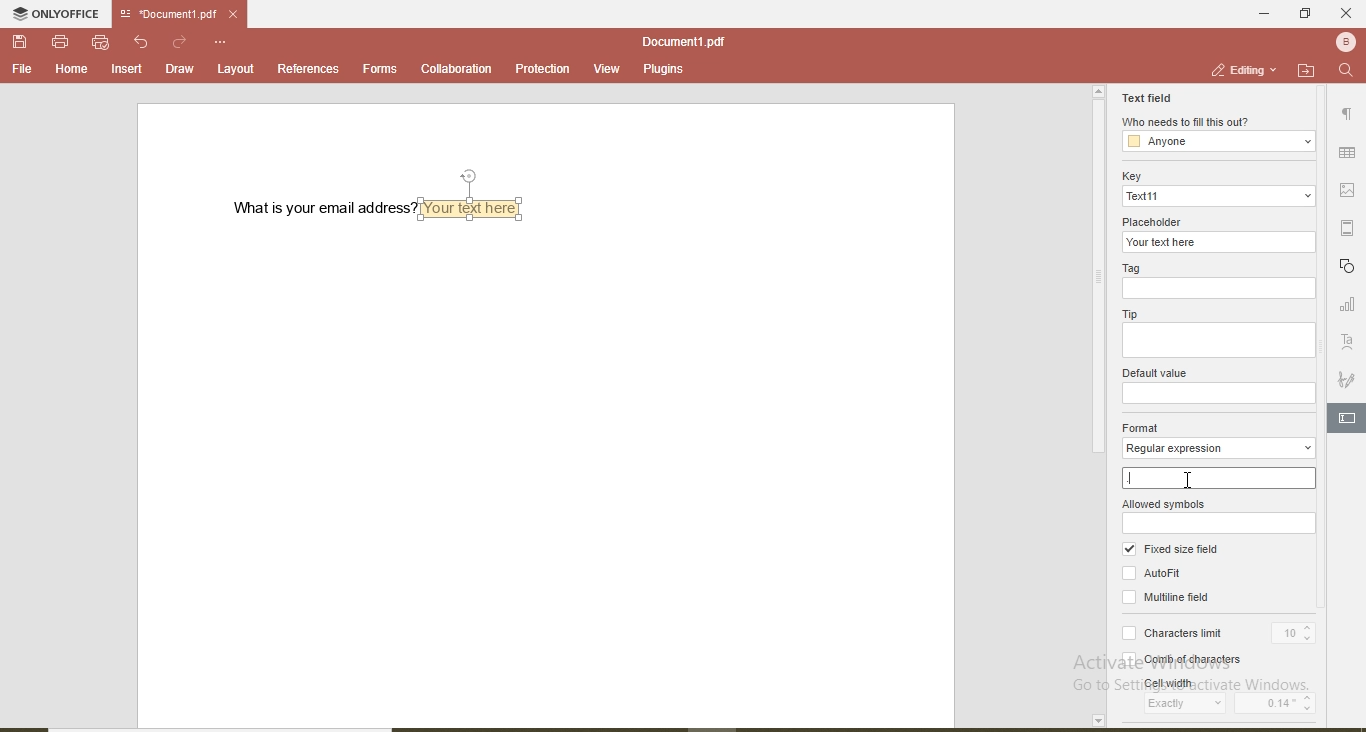 The height and width of the screenshot is (732, 1366). Describe the element at coordinates (1136, 267) in the screenshot. I see `Tag` at that location.